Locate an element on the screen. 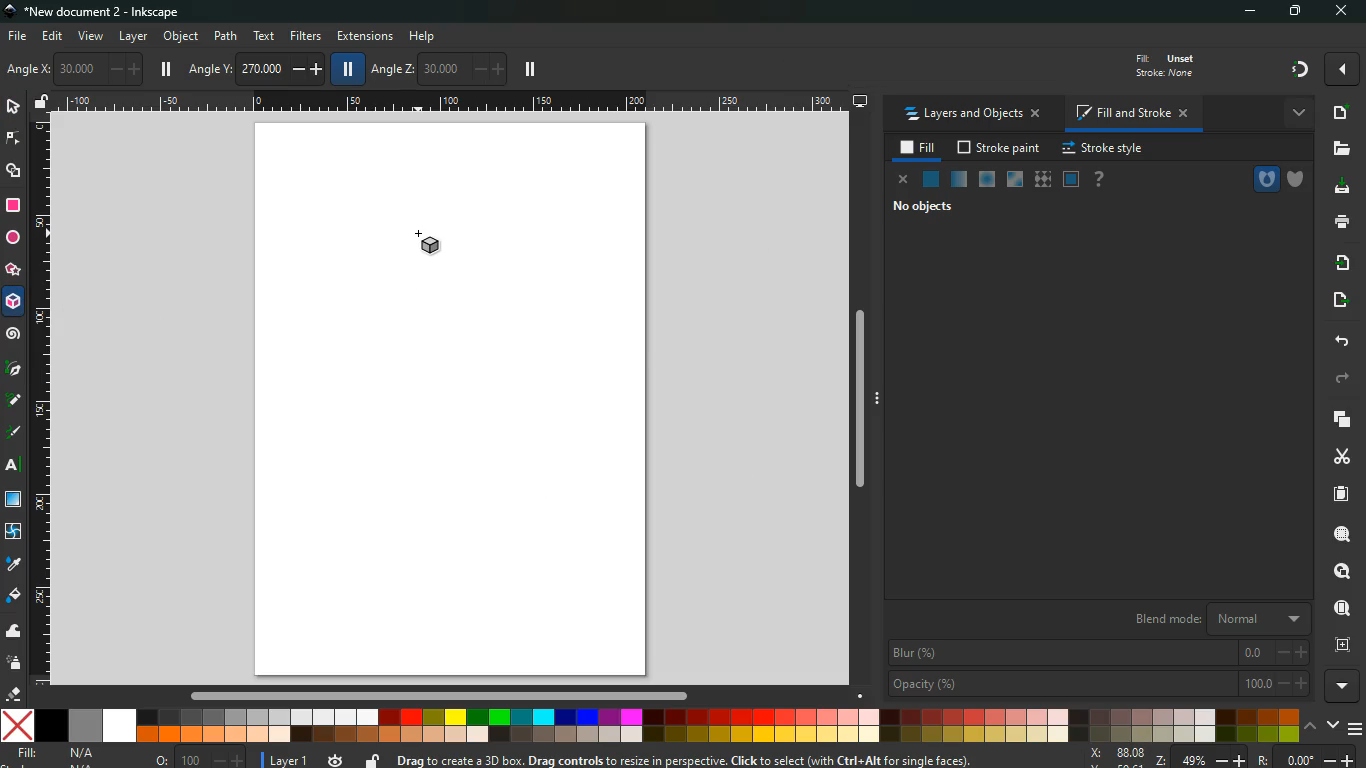 Image resolution: width=1366 pixels, height=768 pixels. highlight is located at coordinates (14, 434).